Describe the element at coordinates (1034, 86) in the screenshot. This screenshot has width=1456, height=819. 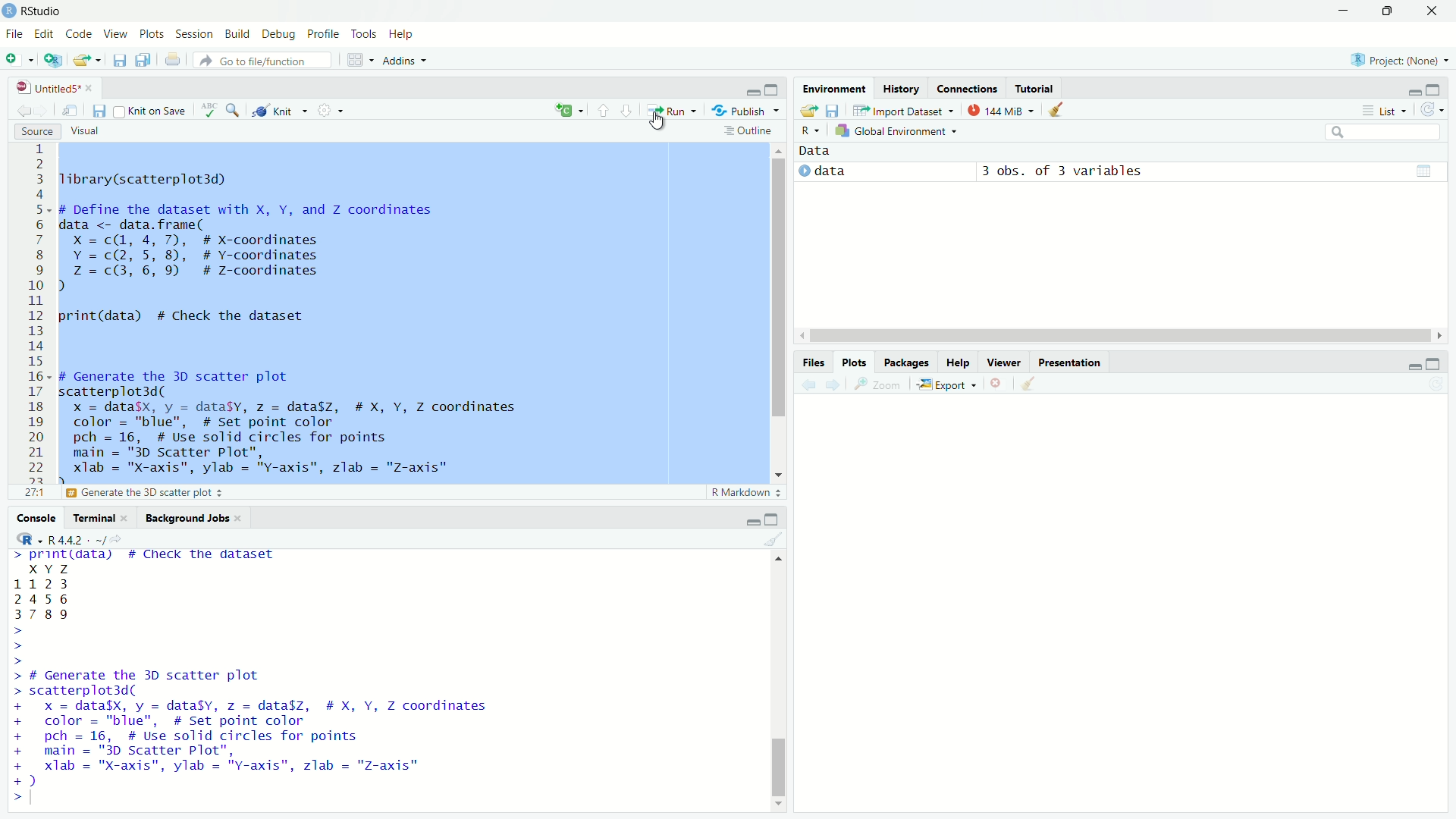
I see `tutorial` at that location.